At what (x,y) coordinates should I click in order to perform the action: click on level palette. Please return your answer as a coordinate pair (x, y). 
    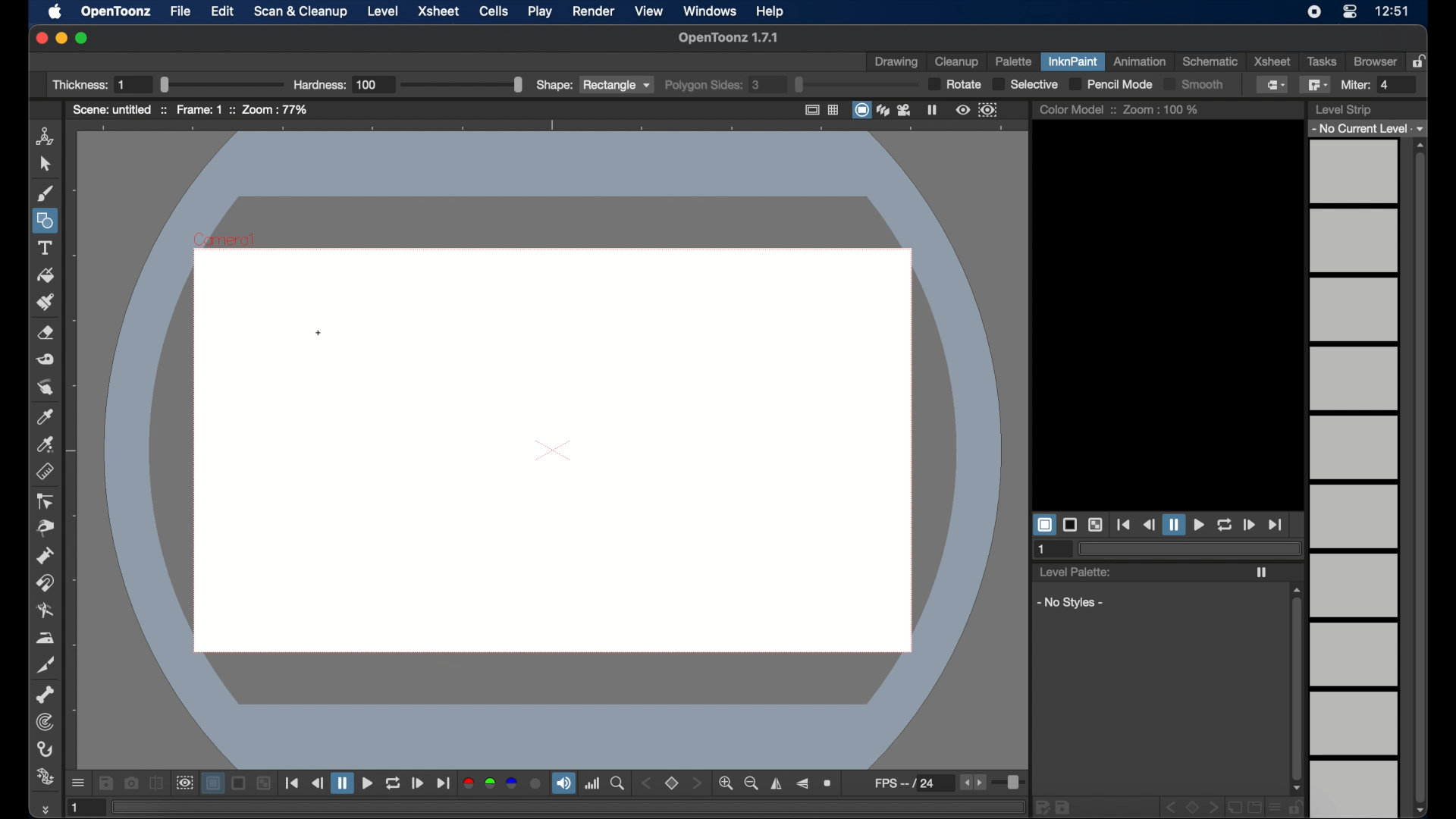
    Looking at the image, I should click on (1075, 571).